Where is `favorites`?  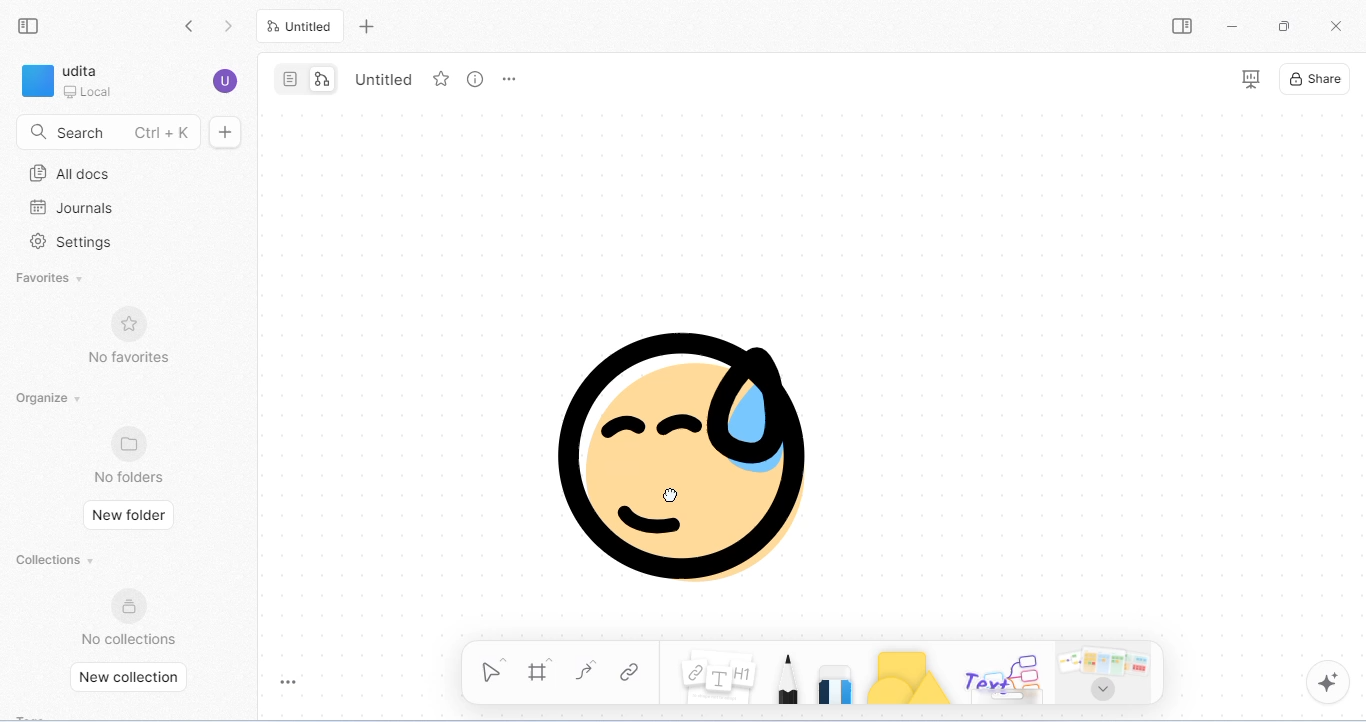
favorites is located at coordinates (51, 280).